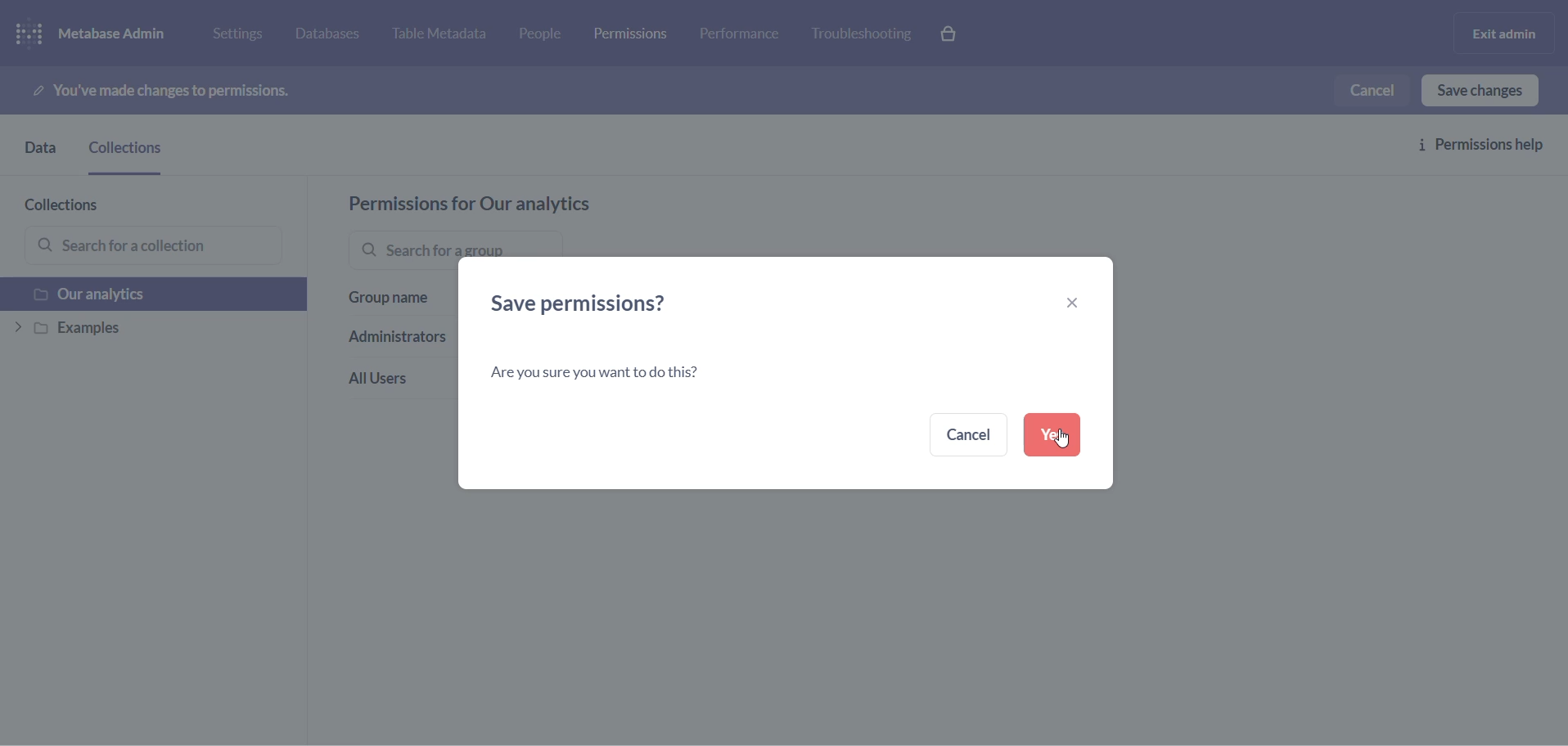  What do you see at coordinates (173, 91) in the screenshot?
I see `text` at bounding box center [173, 91].